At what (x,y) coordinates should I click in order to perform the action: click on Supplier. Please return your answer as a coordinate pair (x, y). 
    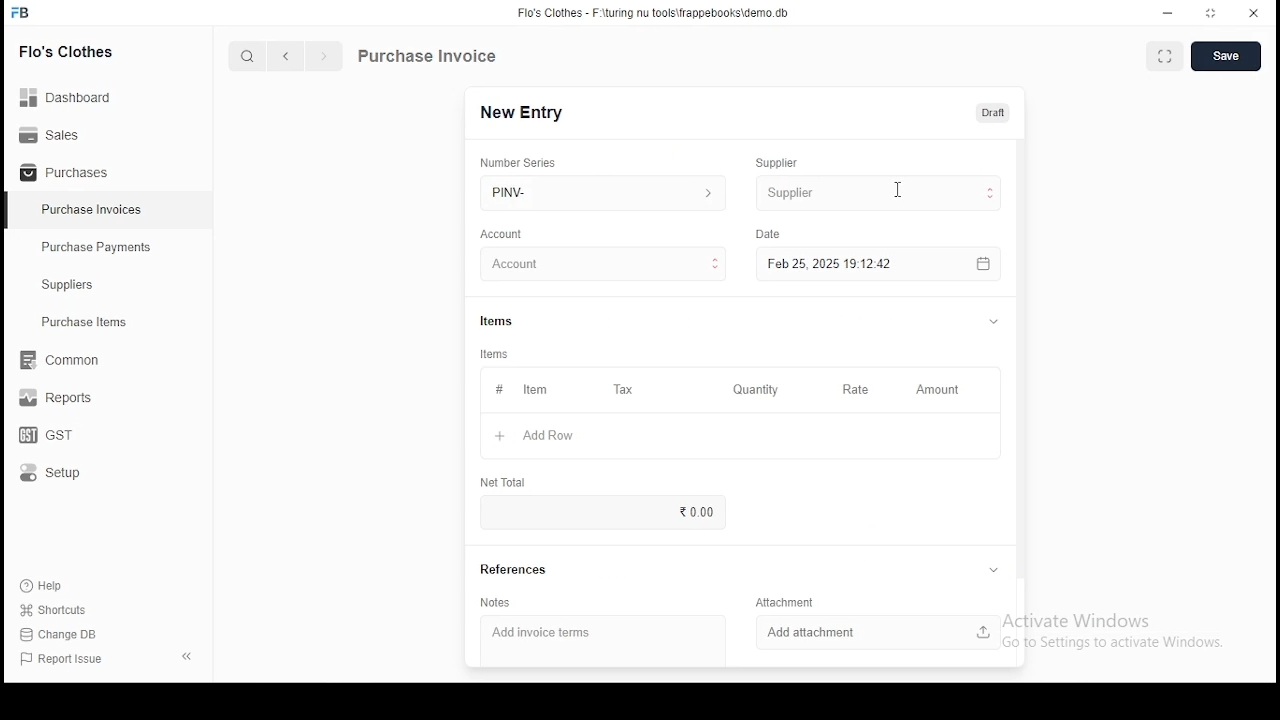
    Looking at the image, I should click on (778, 163).